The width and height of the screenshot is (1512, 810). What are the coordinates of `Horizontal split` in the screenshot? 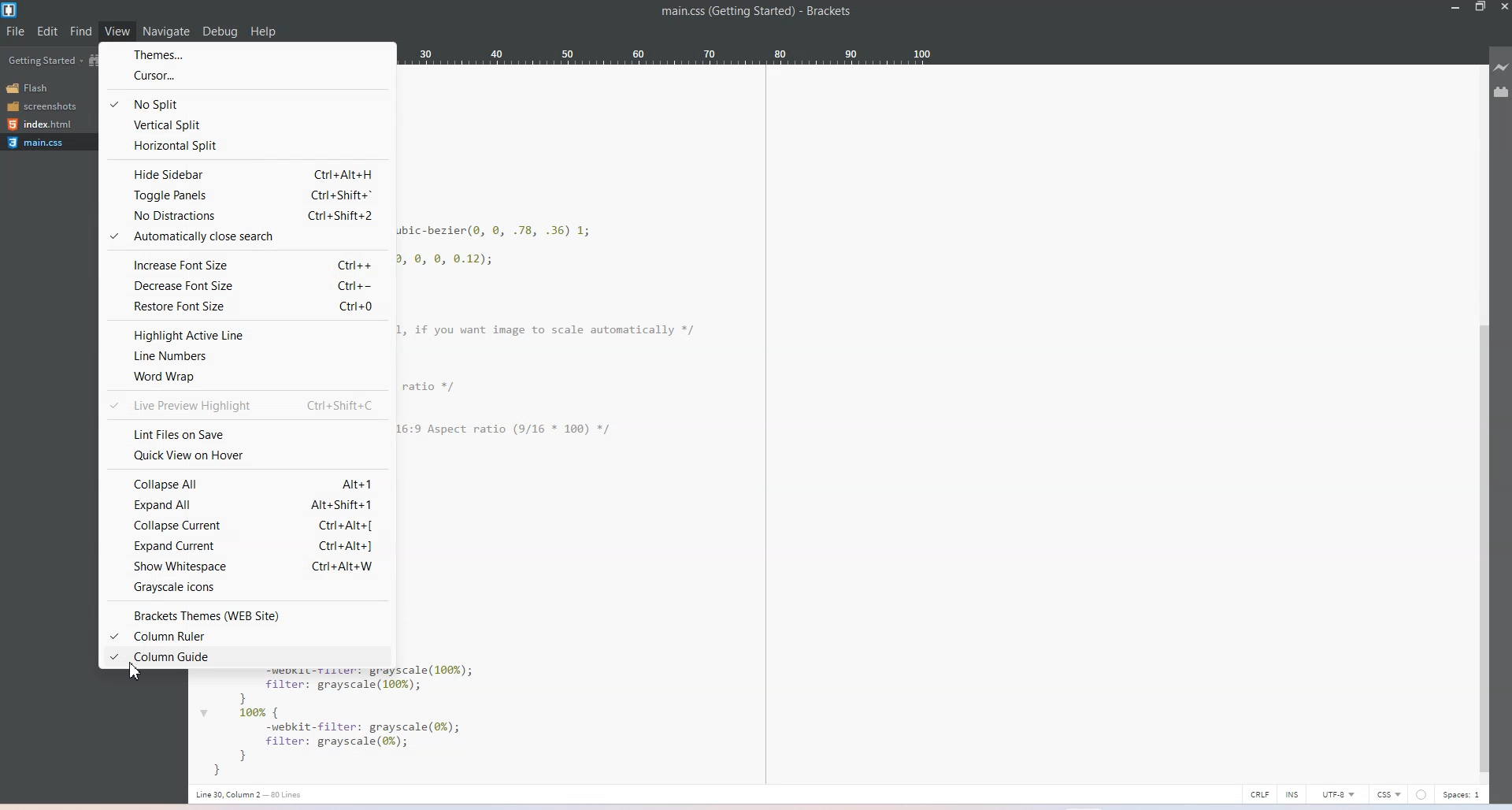 It's located at (247, 146).